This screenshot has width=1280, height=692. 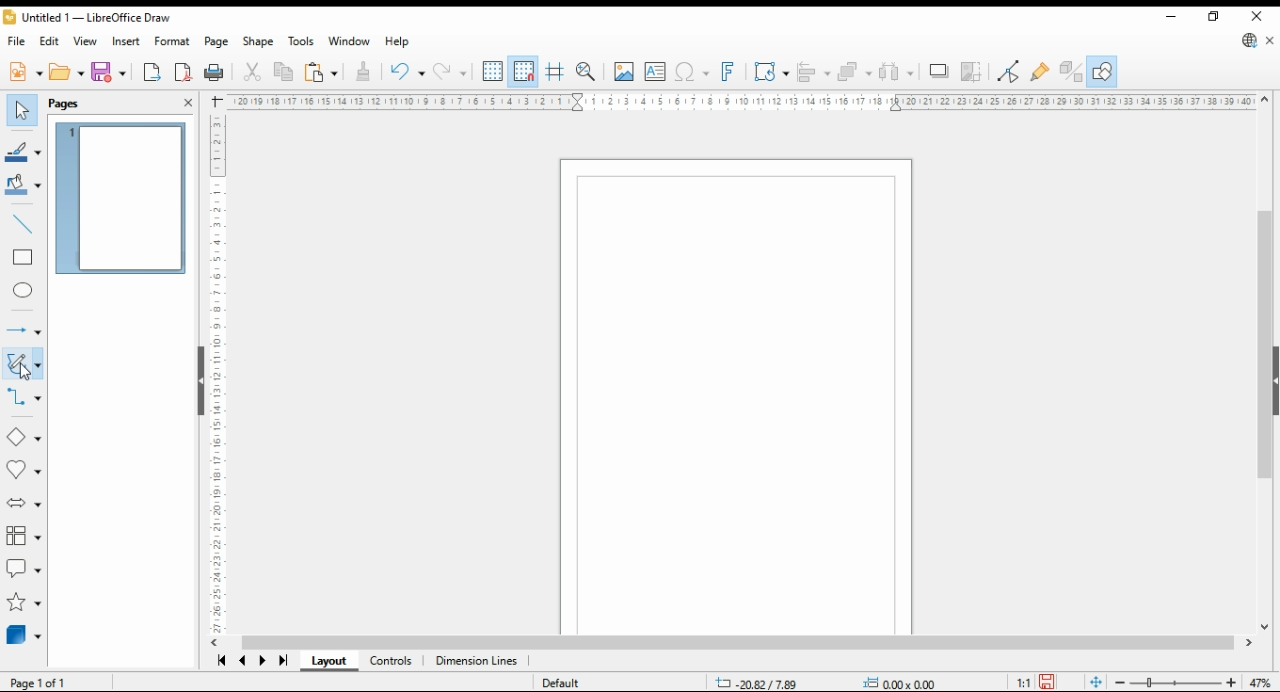 What do you see at coordinates (899, 682) in the screenshot?
I see `.00x 0.00` at bounding box center [899, 682].